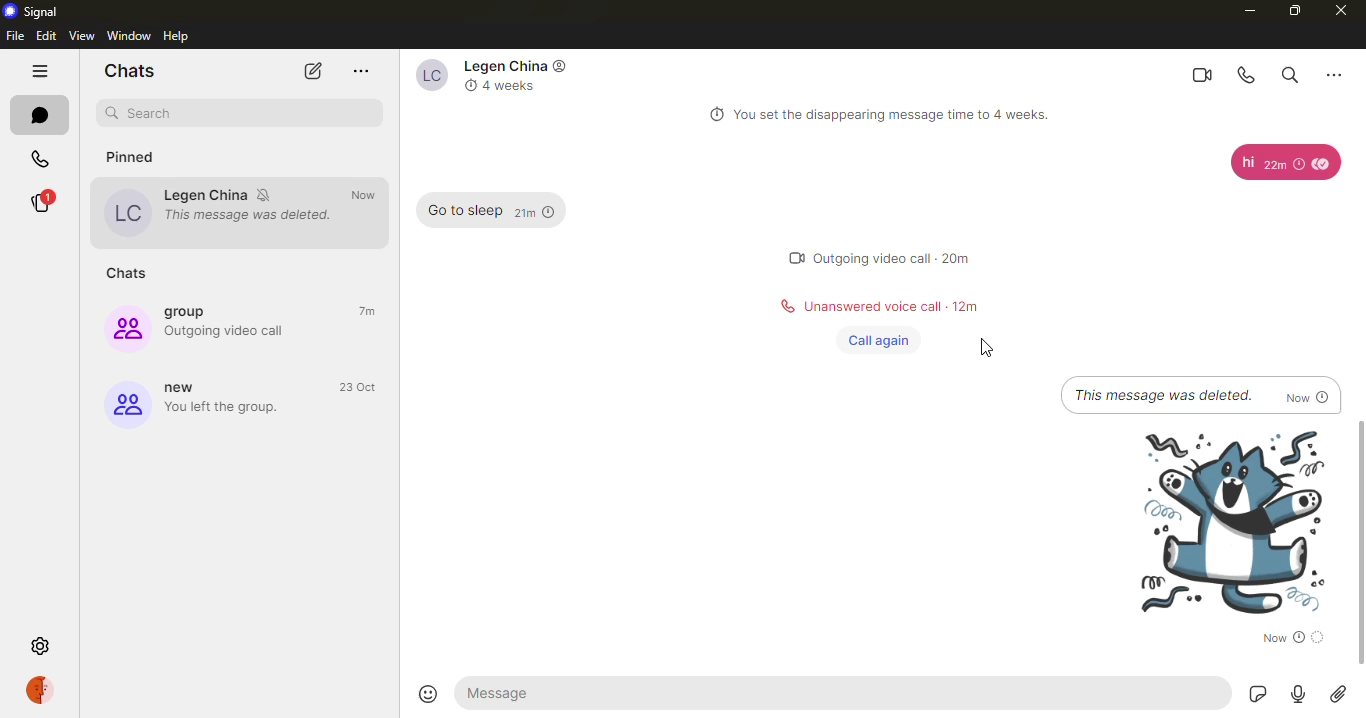 The width and height of the screenshot is (1366, 718). I want to click on 0 Outgoing video call - 20m, so click(898, 259).